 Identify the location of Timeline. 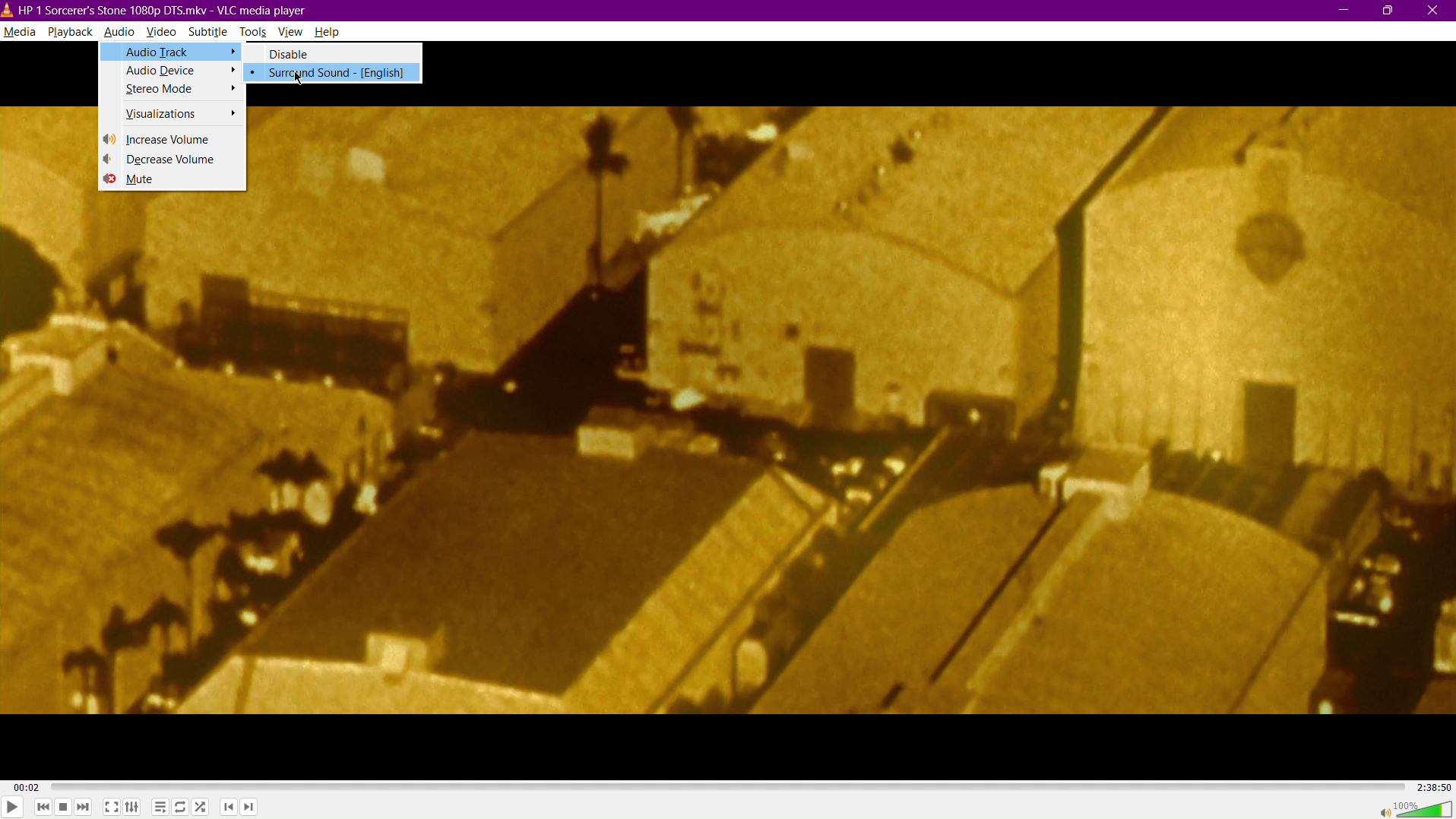
(726, 786).